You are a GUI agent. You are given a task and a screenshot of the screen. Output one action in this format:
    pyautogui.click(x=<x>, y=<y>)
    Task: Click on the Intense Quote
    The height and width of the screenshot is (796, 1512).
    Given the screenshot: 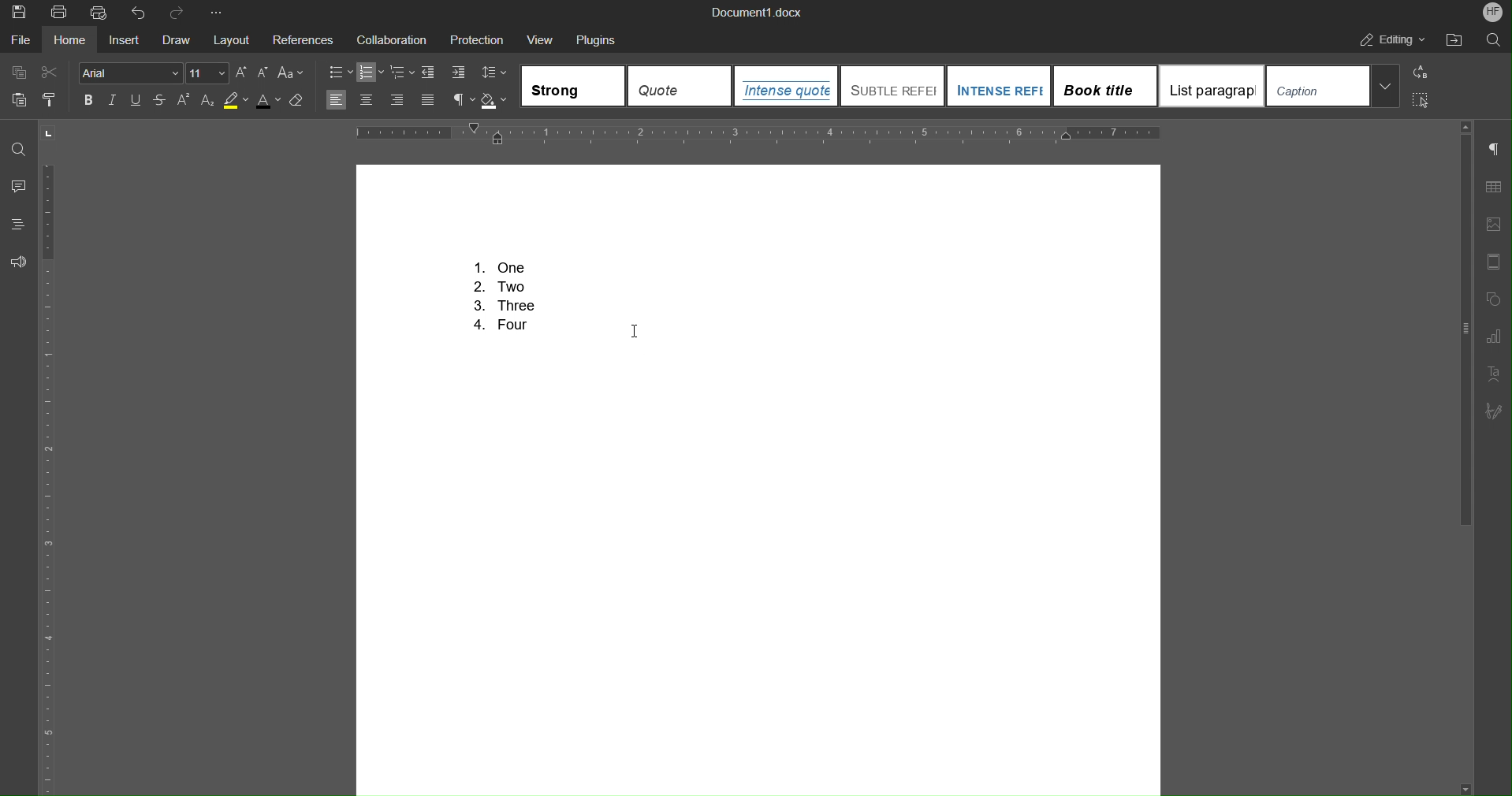 What is the action you would take?
    pyautogui.click(x=788, y=86)
    